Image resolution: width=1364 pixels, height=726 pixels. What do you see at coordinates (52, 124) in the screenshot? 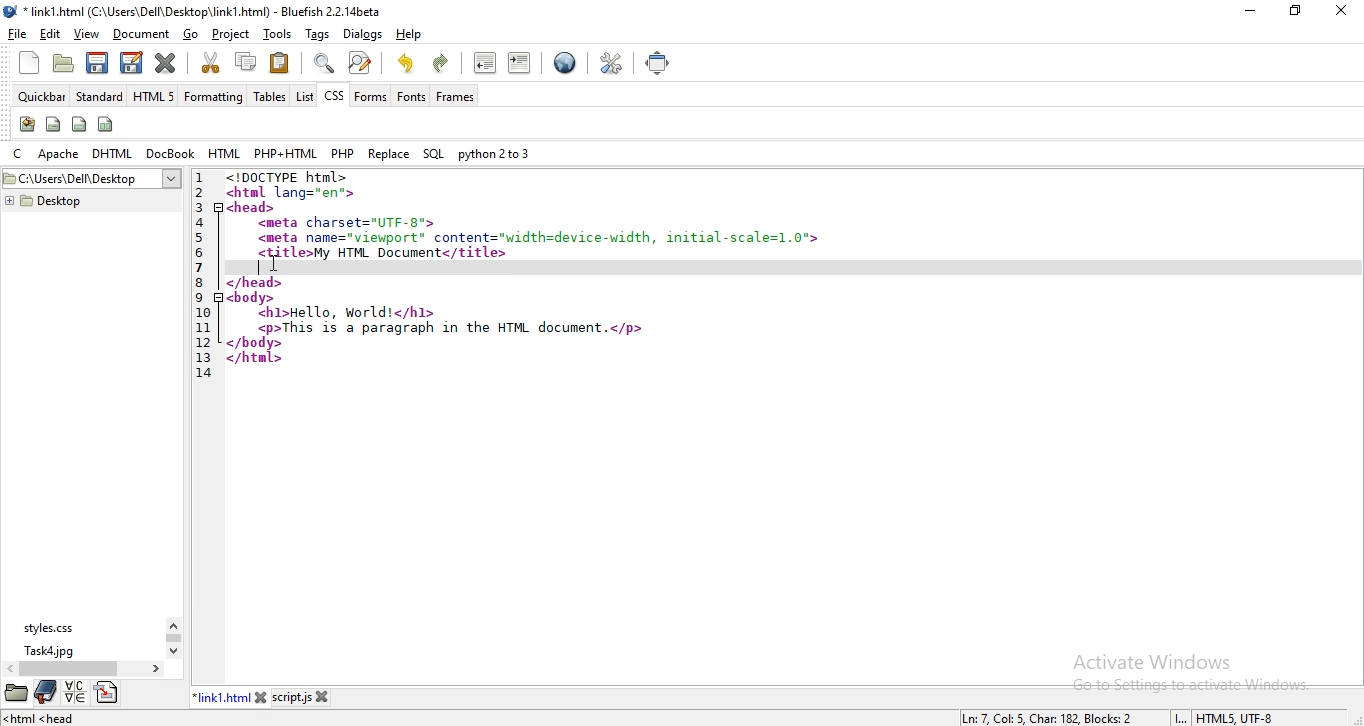
I see `span` at bounding box center [52, 124].